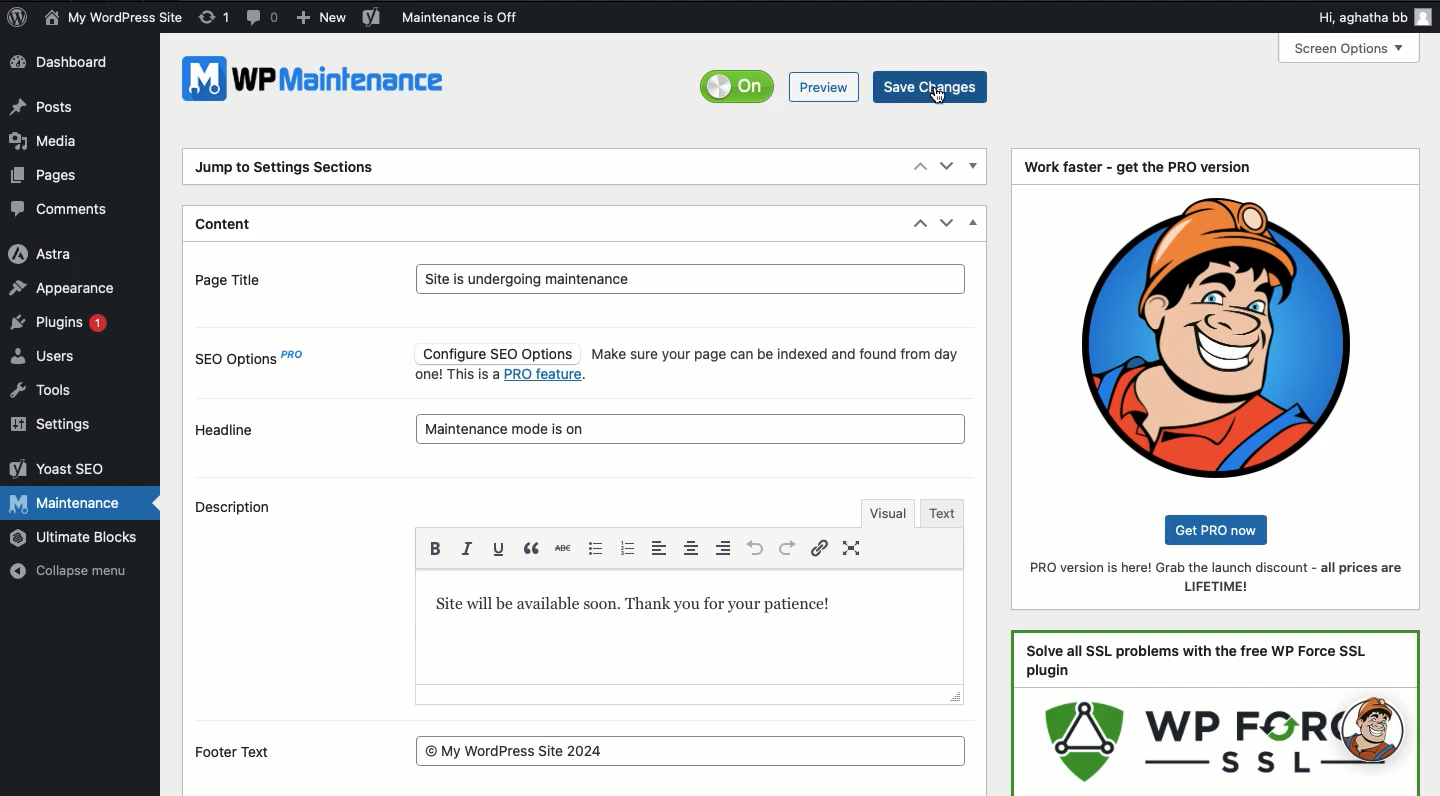 Image resolution: width=1440 pixels, height=796 pixels. Describe the element at coordinates (741, 86) in the screenshot. I see `Off` at that location.